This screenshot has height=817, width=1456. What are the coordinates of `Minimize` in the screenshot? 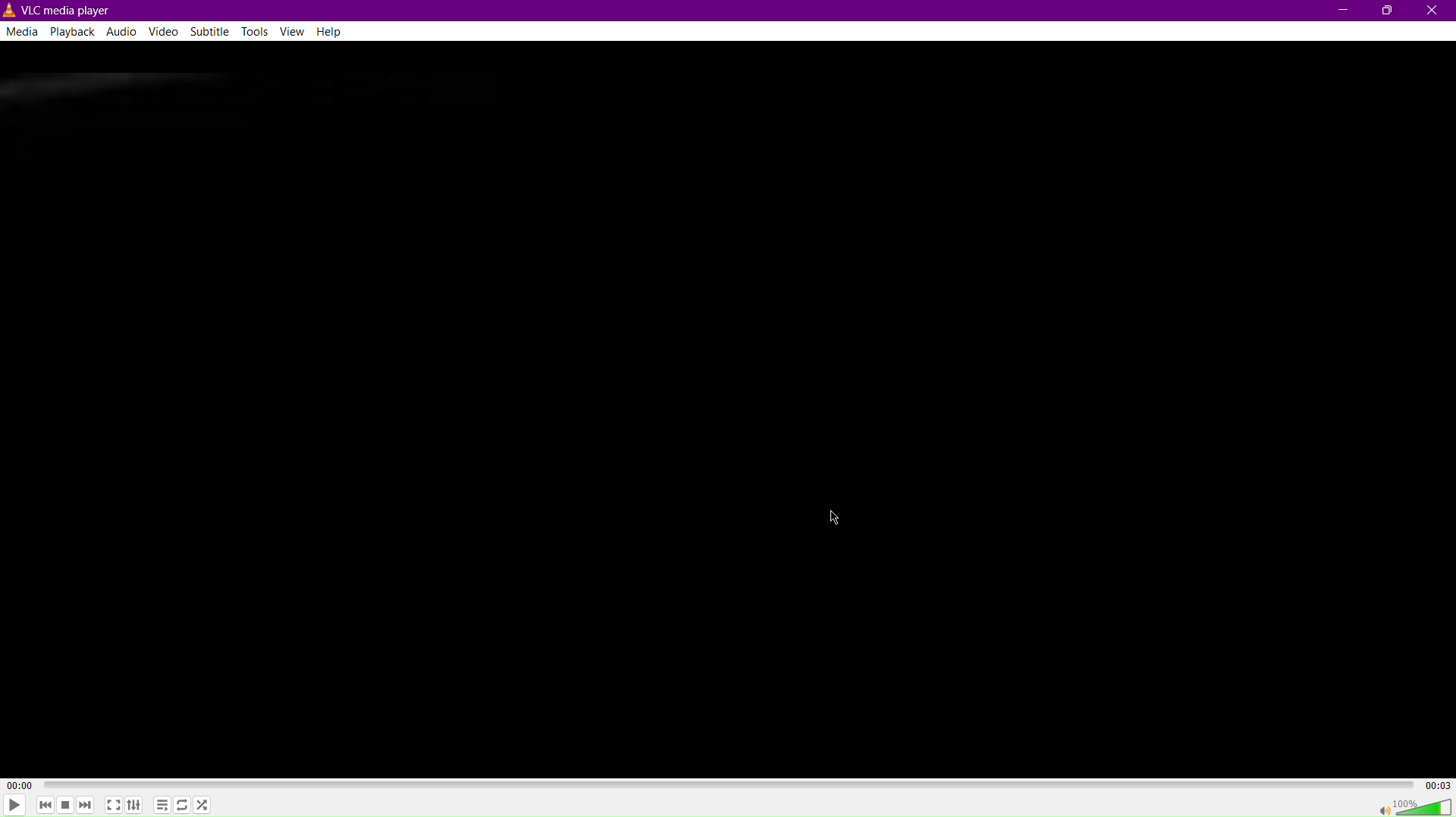 It's located at (1339, 11).